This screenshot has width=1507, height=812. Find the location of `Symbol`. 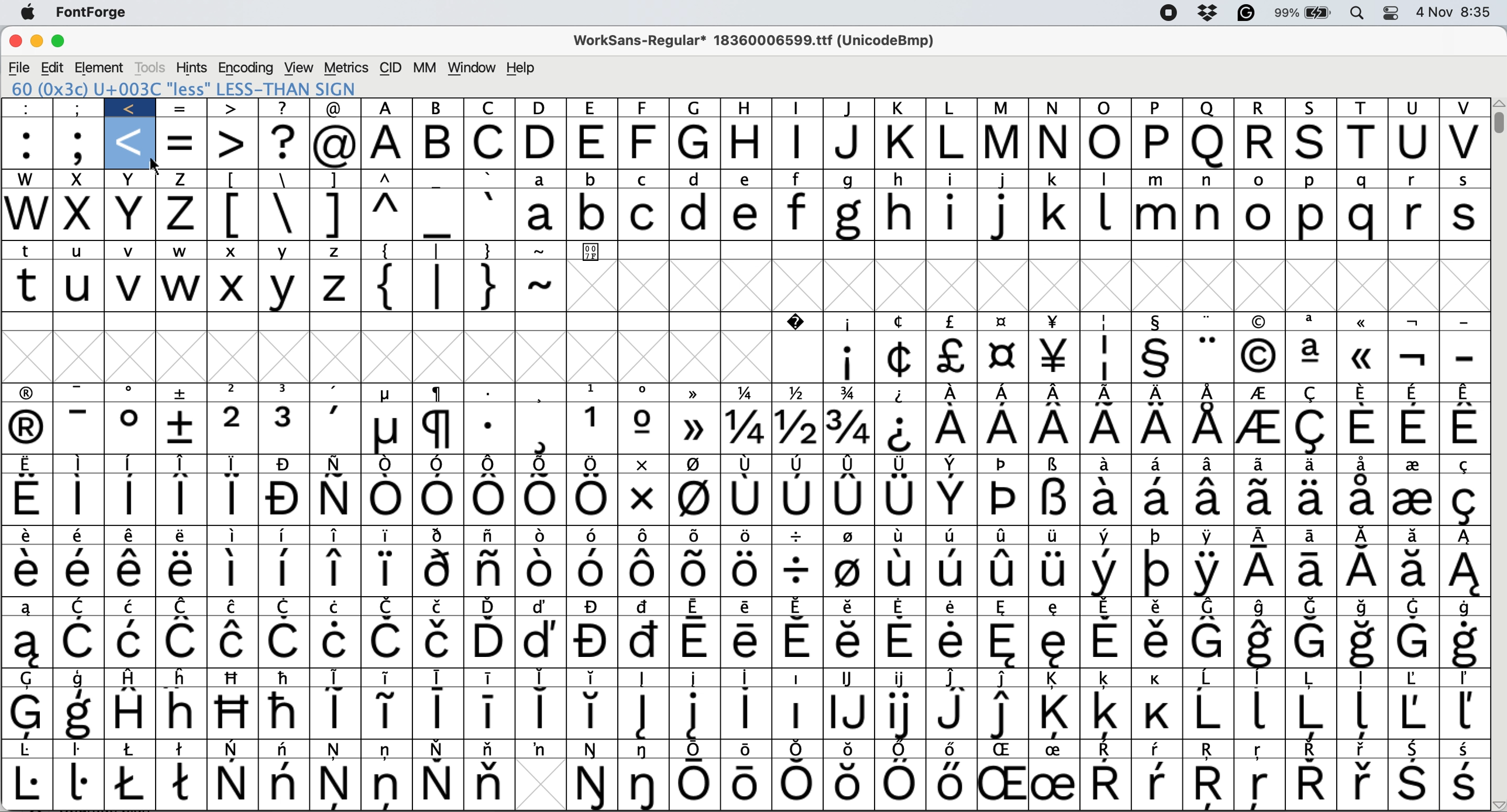

Symbol is located at coordinates (490, 394).